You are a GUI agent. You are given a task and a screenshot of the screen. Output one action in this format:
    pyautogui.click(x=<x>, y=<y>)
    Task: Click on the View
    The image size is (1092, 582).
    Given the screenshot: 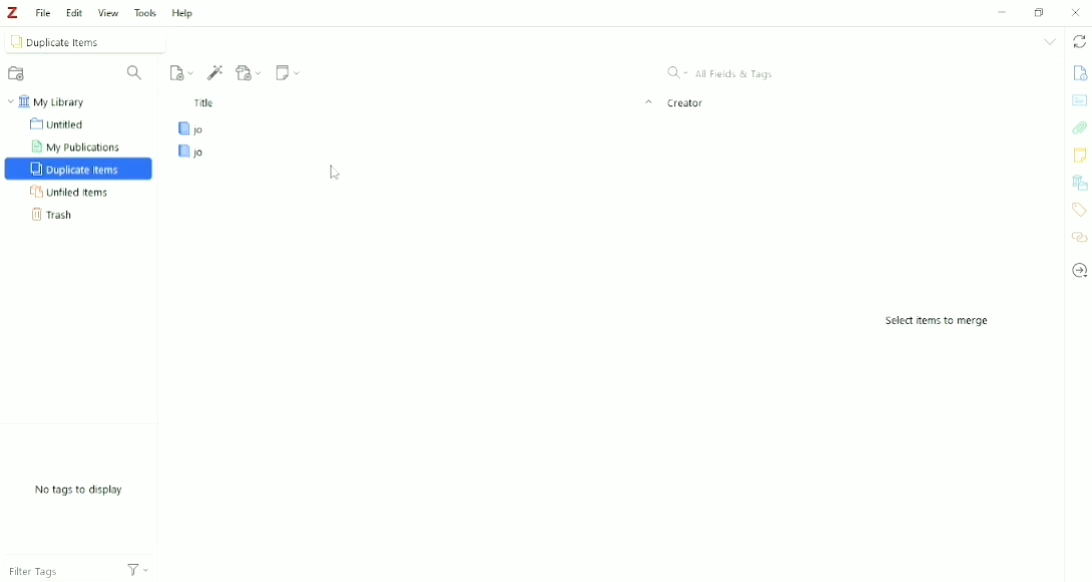 What is the action you would take?
    pyautogui.click(x=109, y=13)
    